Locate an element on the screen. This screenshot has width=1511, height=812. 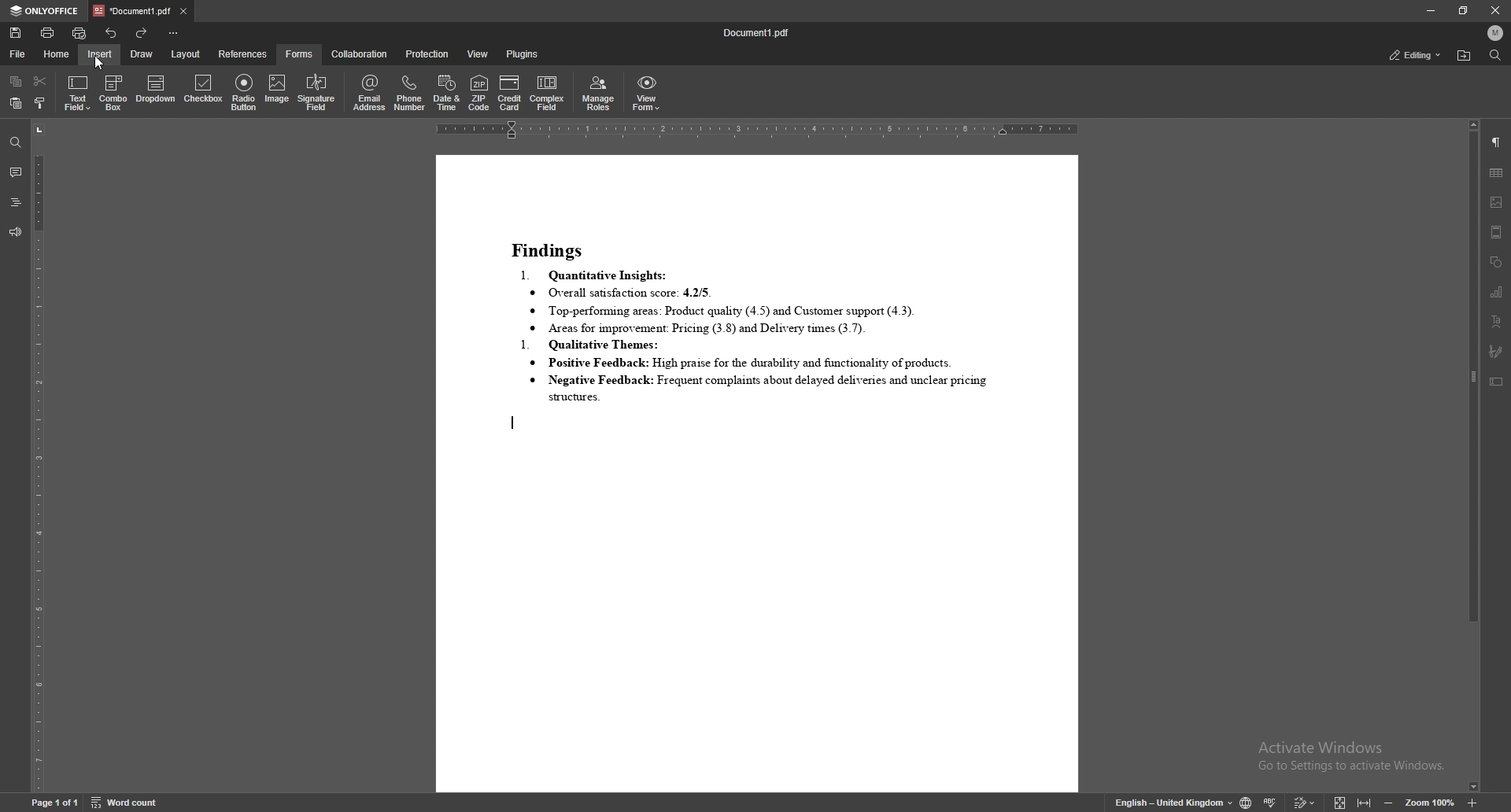
page is located at coordinates (54, 801).